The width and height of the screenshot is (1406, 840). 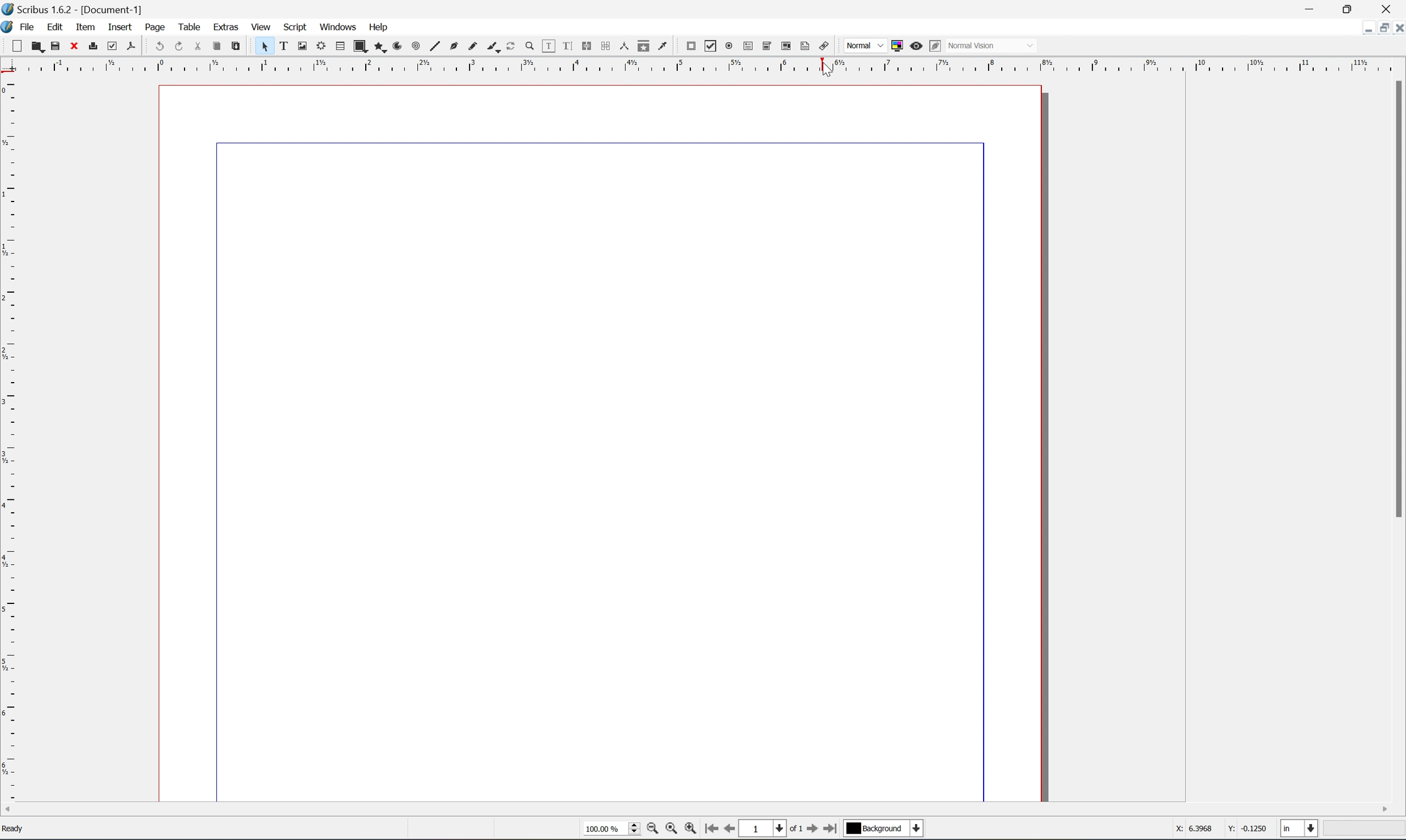 What do you see at coordinates (1300, 829) in the screenshot?
I see `select current unit` at bounding box center [1300, 829].